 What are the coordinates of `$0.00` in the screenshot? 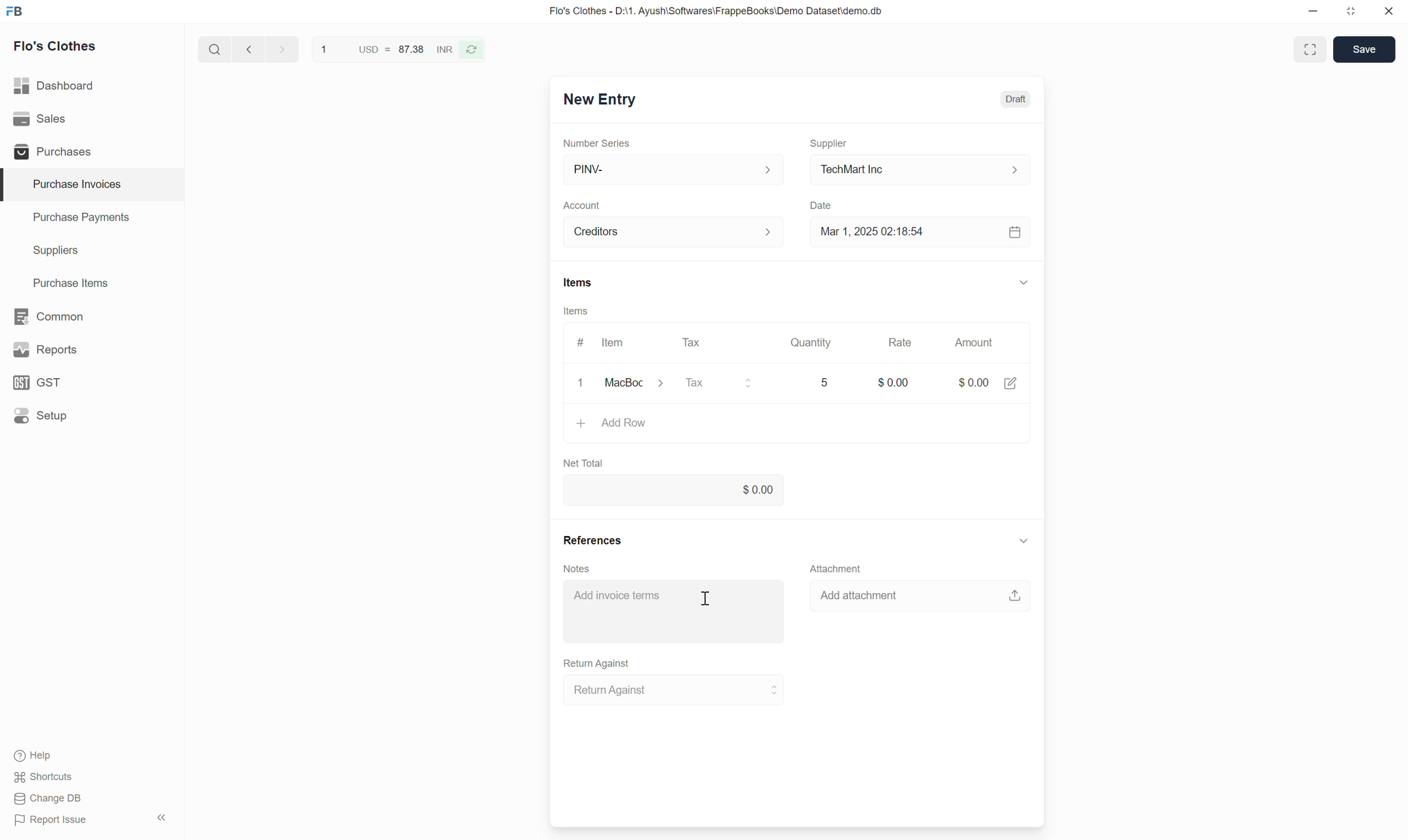 It's located at (988, 379).